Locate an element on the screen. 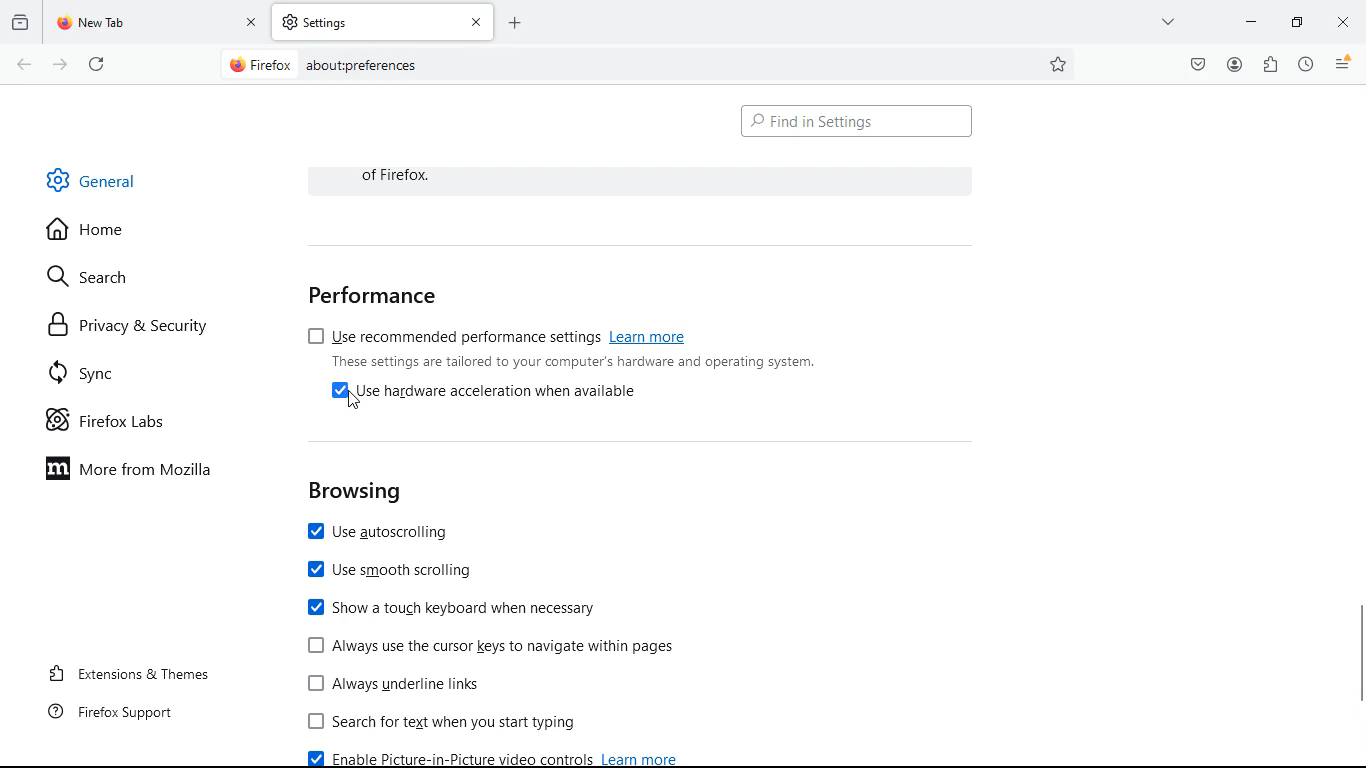 Image resolution: width=1366 pixels, height=768 pixels. minimize is located at coordinates (1295, 21).